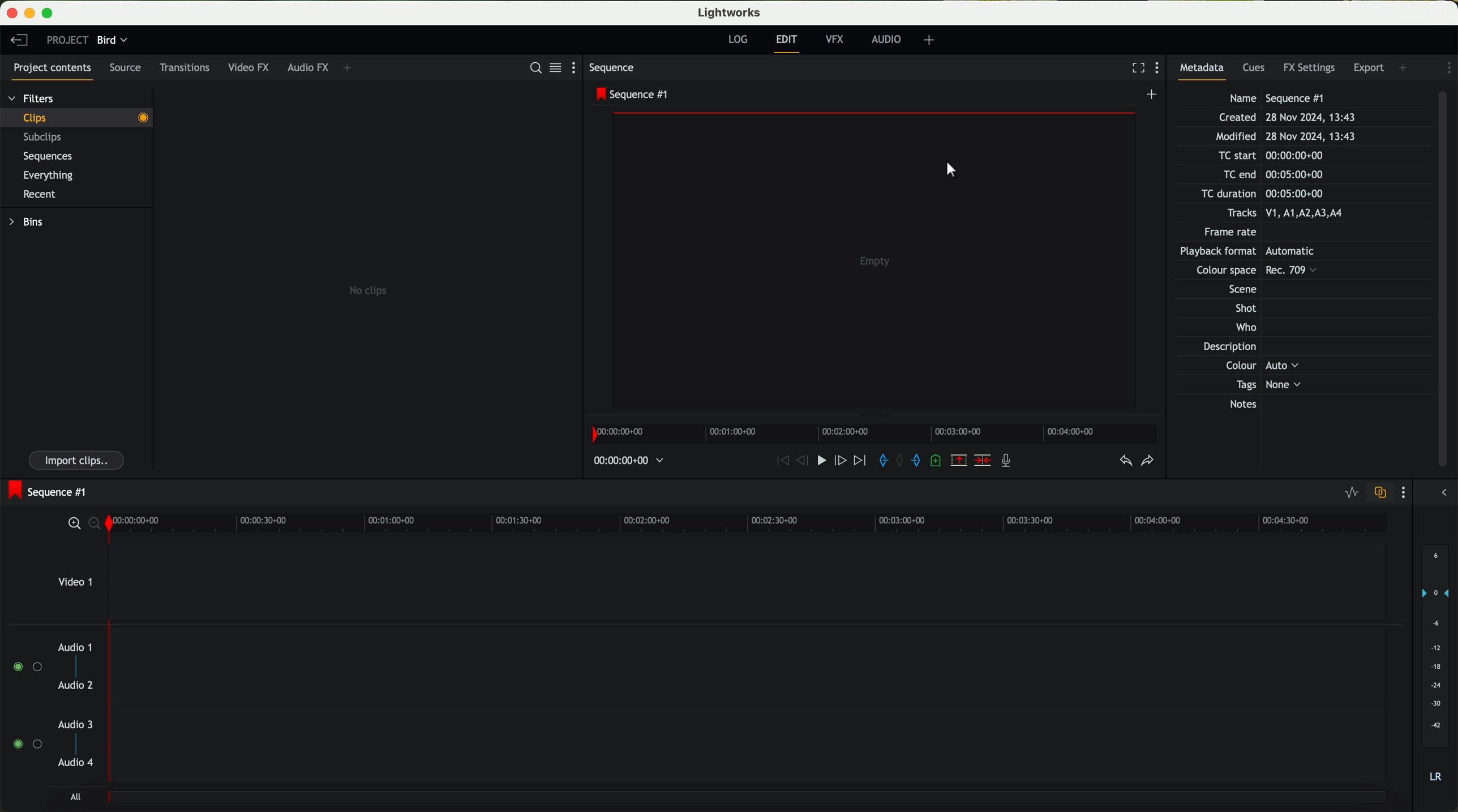 This screenshot has width=1458, height=812. I want to click on metadata, so click(1202, 70).